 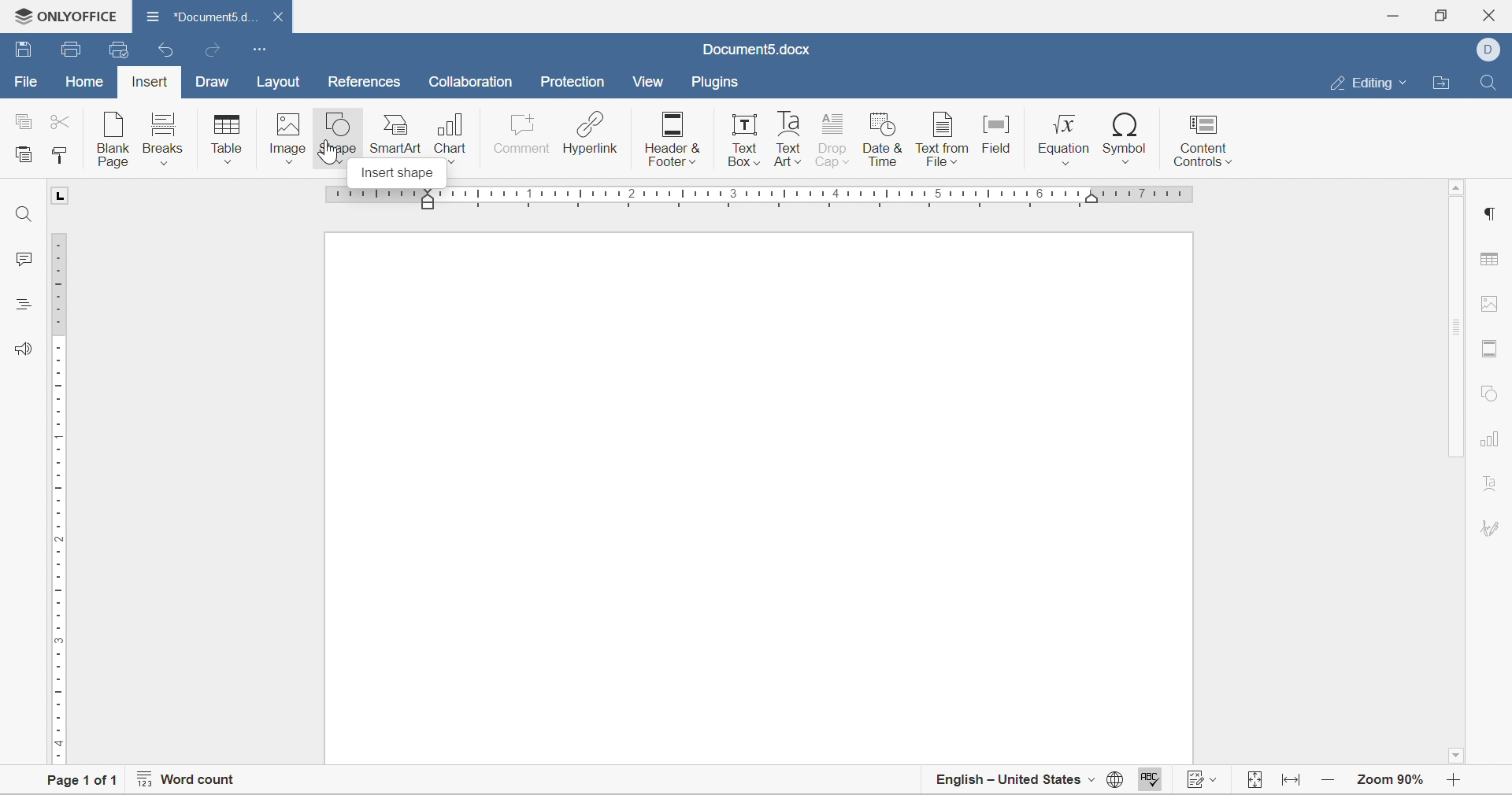 What do you see at coordinates (24, 261) in the screenshot?
I see `comments` at bounding box center [24, 261].